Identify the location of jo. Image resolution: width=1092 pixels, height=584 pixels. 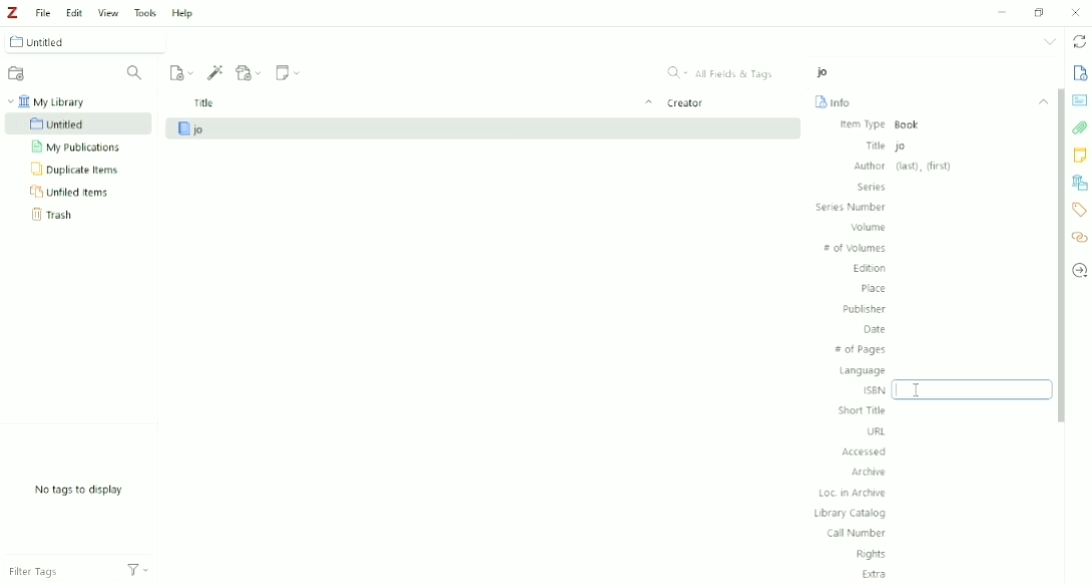
(482, 129).